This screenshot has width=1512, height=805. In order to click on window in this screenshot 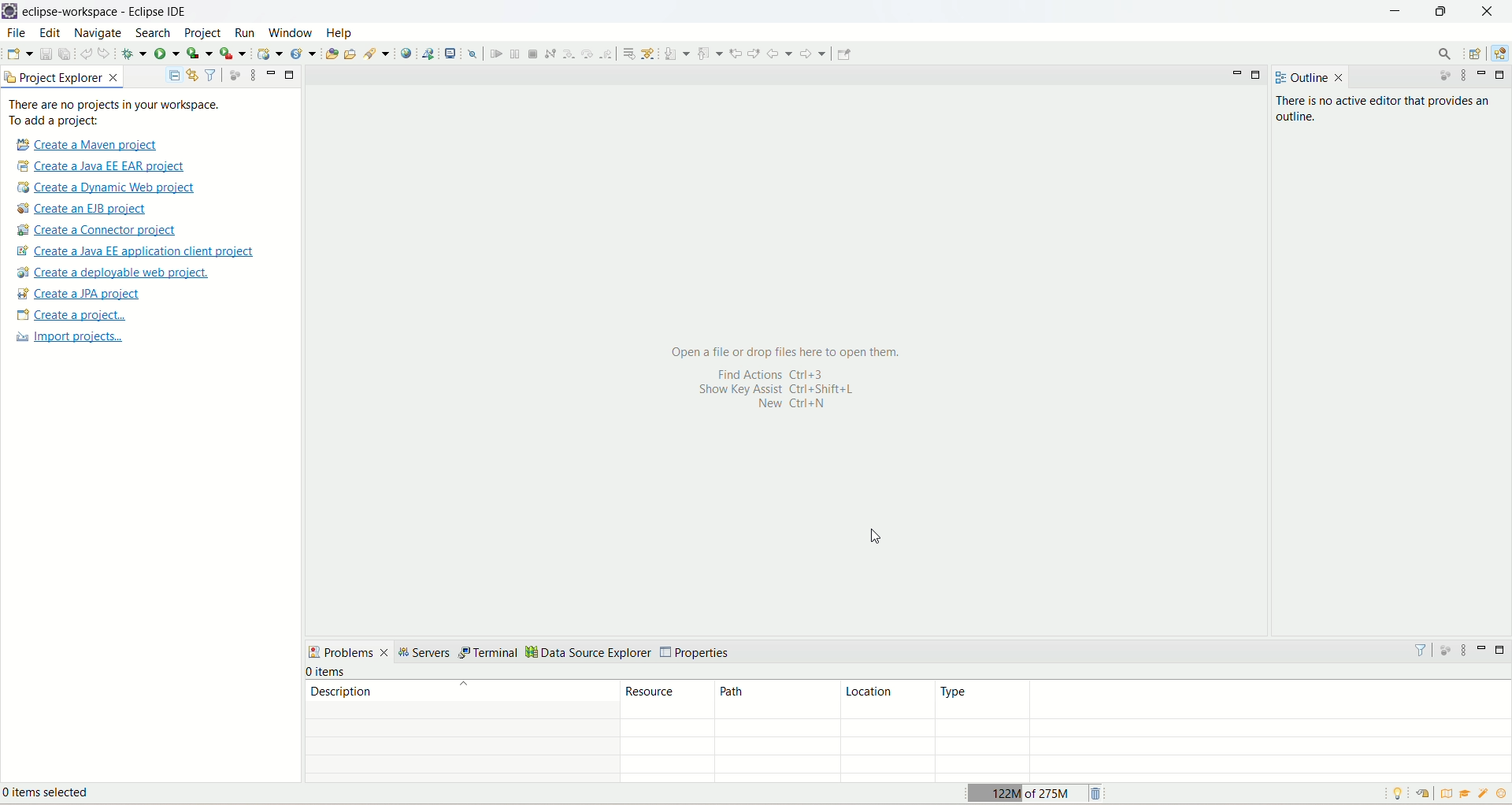, I will do `click(290, 32)`.